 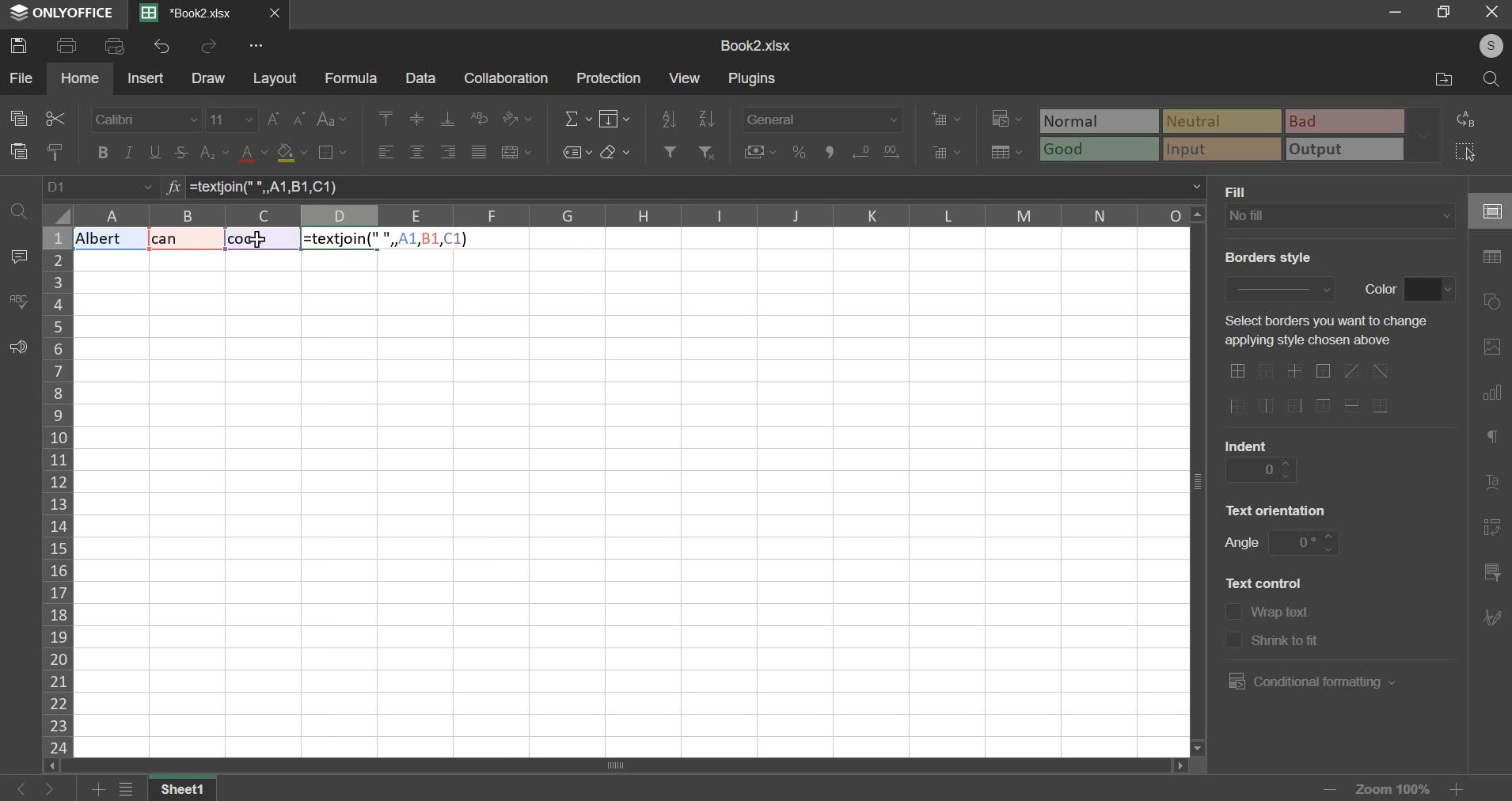 I want to click on undo, so click(x=161, y=46).